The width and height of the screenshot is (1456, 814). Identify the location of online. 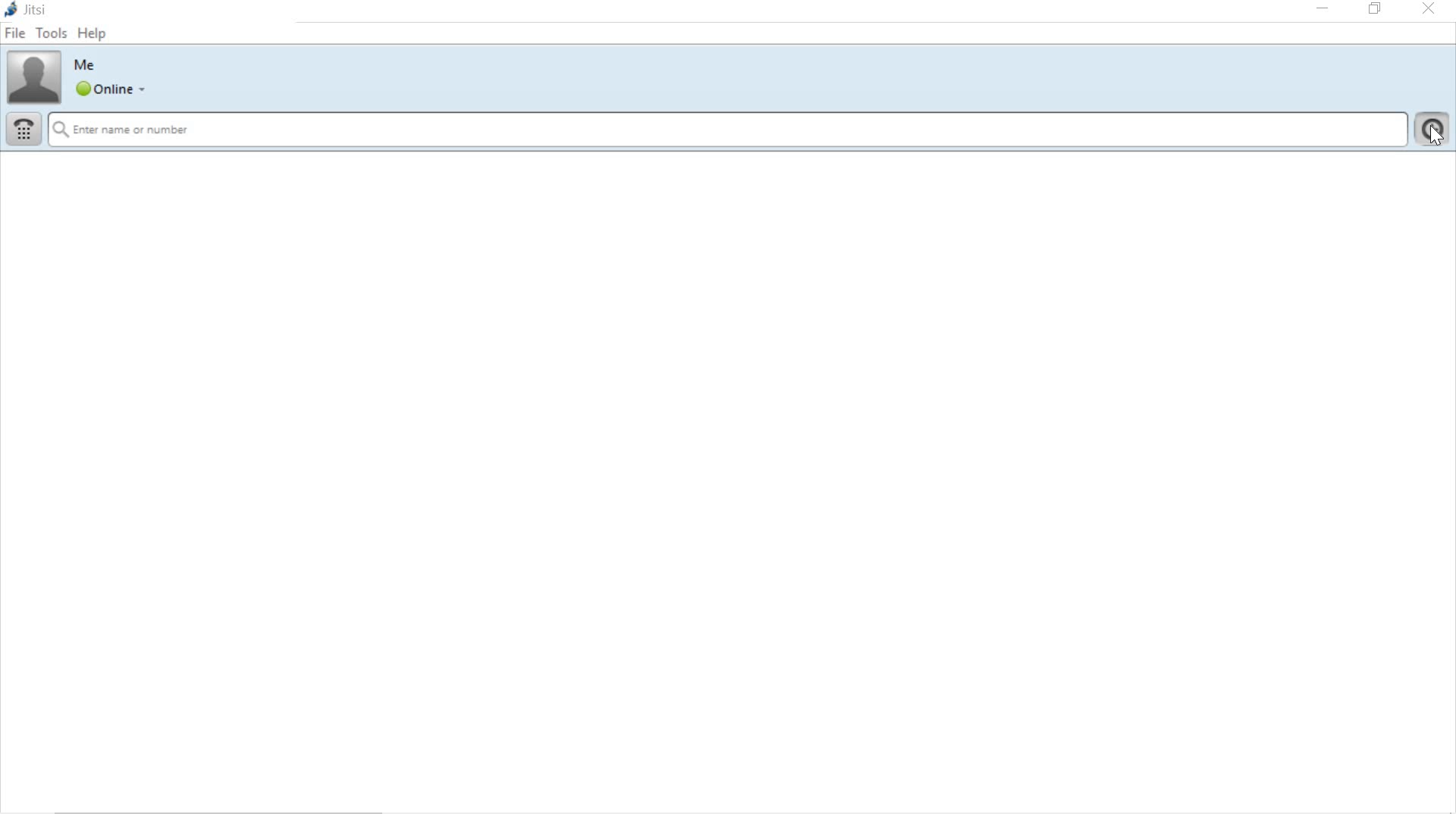
(110, 89).